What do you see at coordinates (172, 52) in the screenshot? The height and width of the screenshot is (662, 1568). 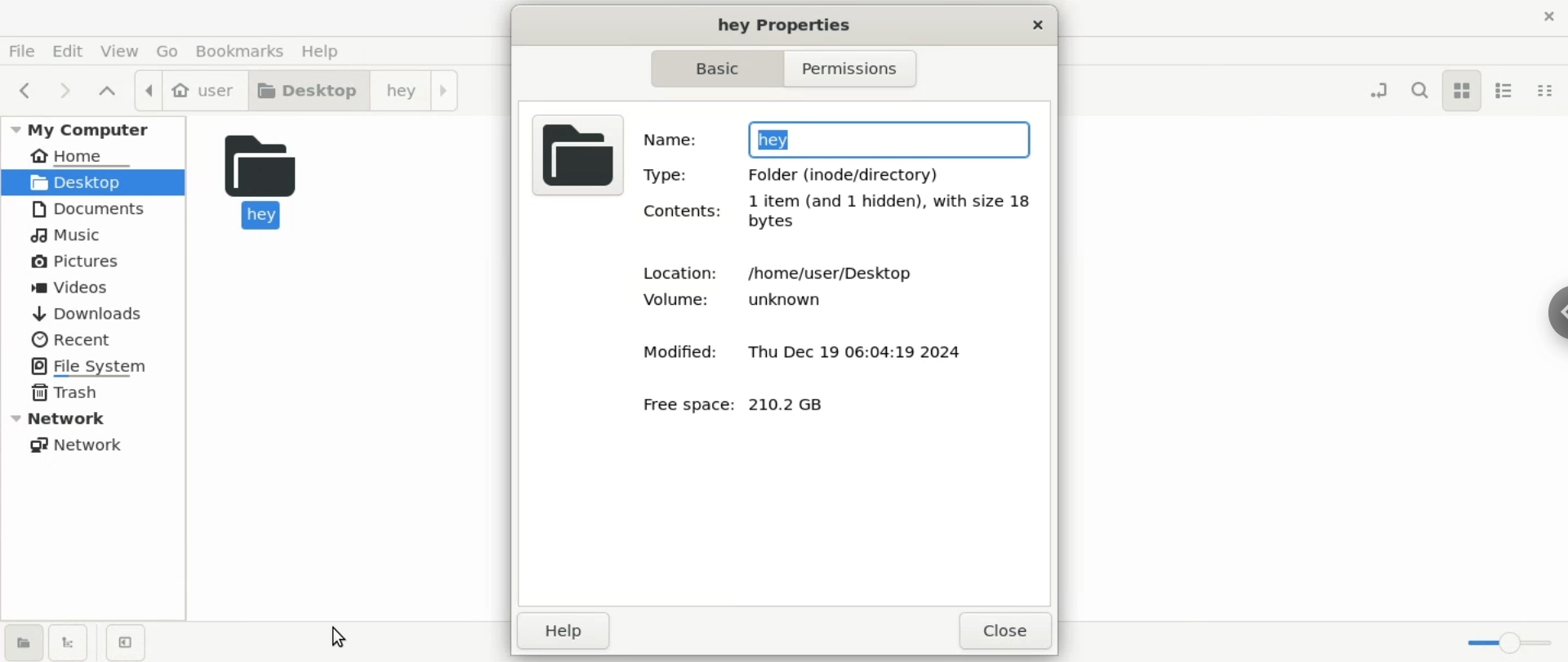 I see `go` at bounding box center [172, 52].